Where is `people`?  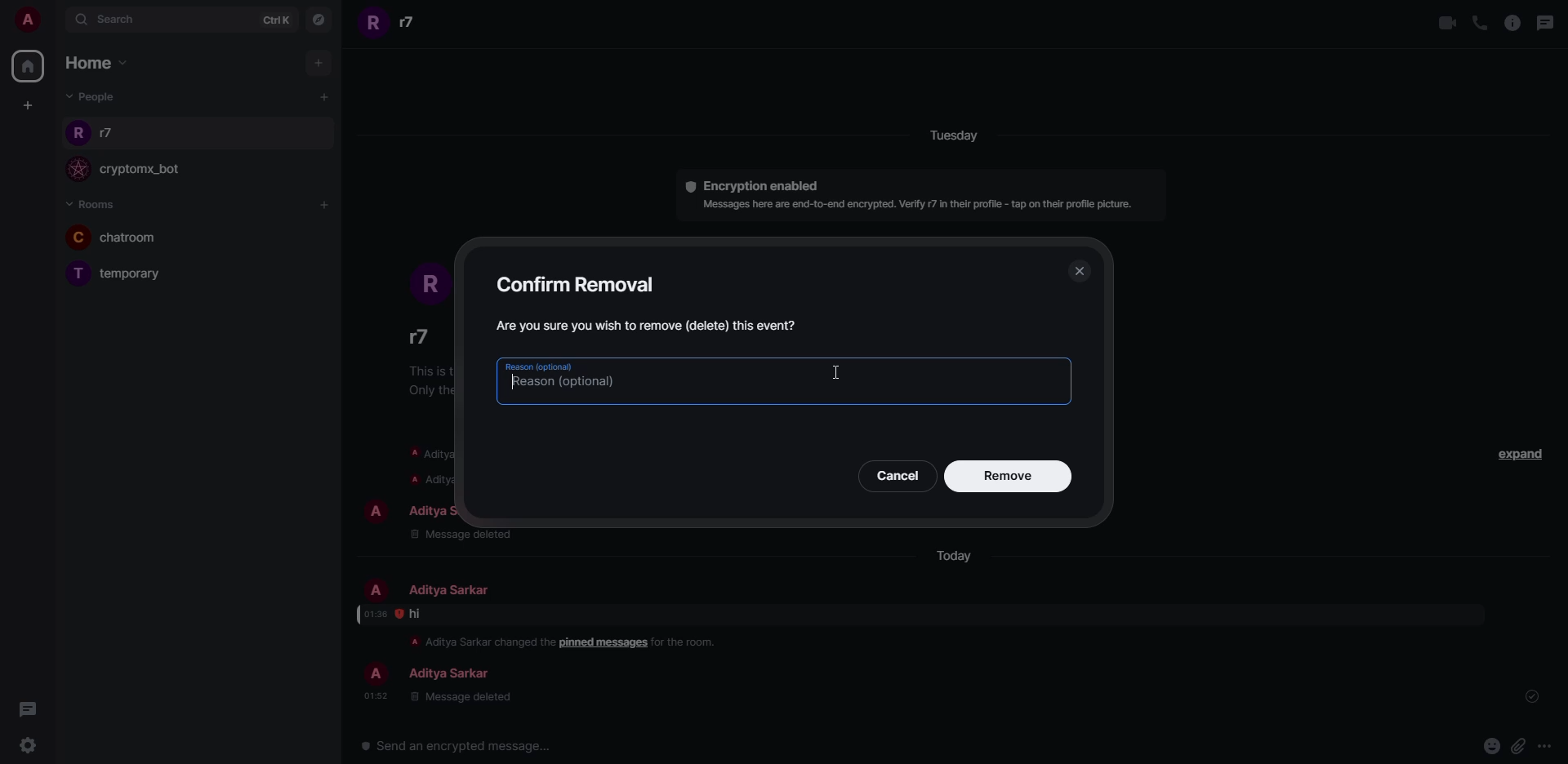 people is located at coordinates (421, 337).